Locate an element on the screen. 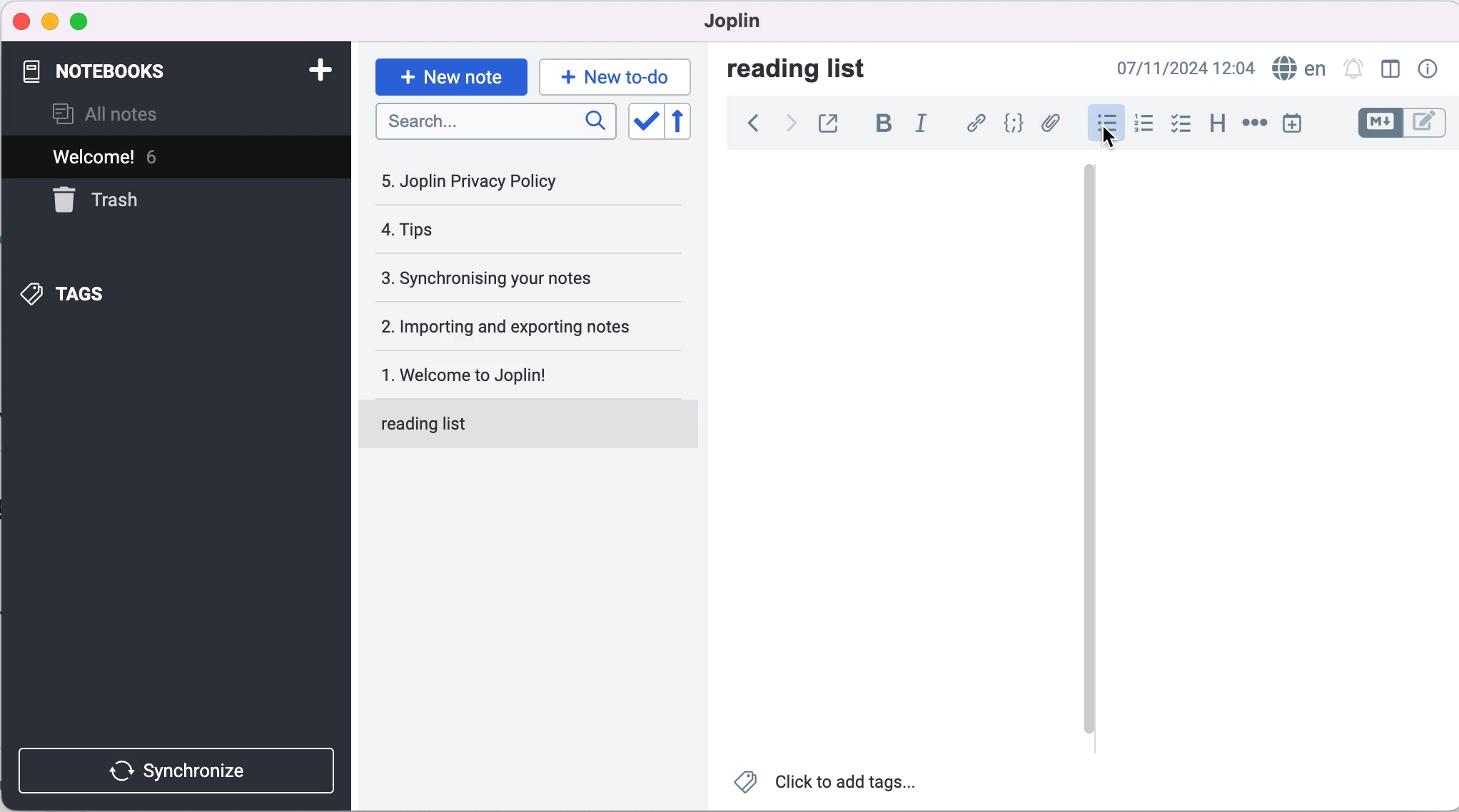 The height and width of the screenshot is (812, 1459). numbered list is located at coordinates (1144, 126).